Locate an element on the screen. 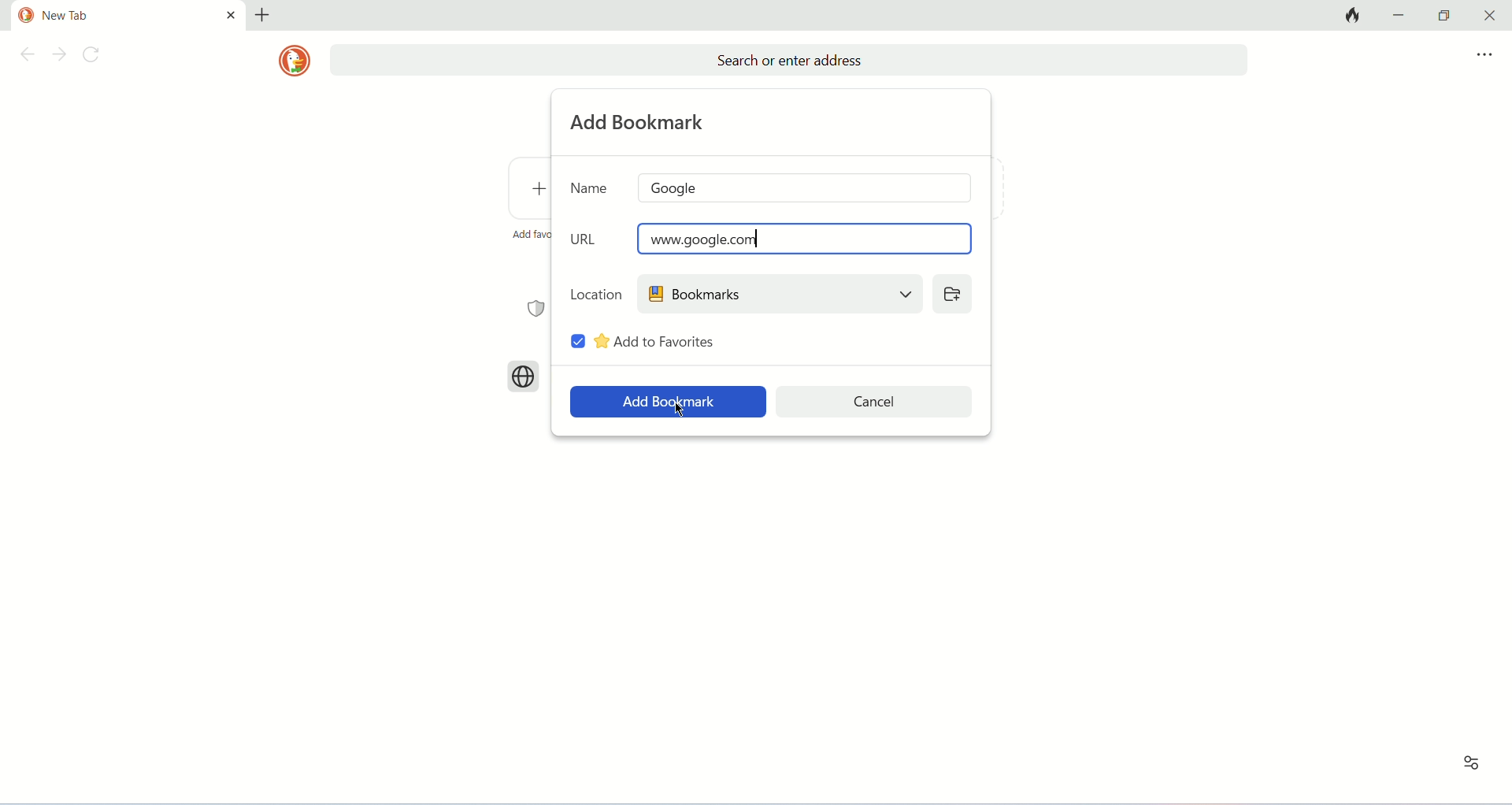  go forward is located at coordinates (59, 56).